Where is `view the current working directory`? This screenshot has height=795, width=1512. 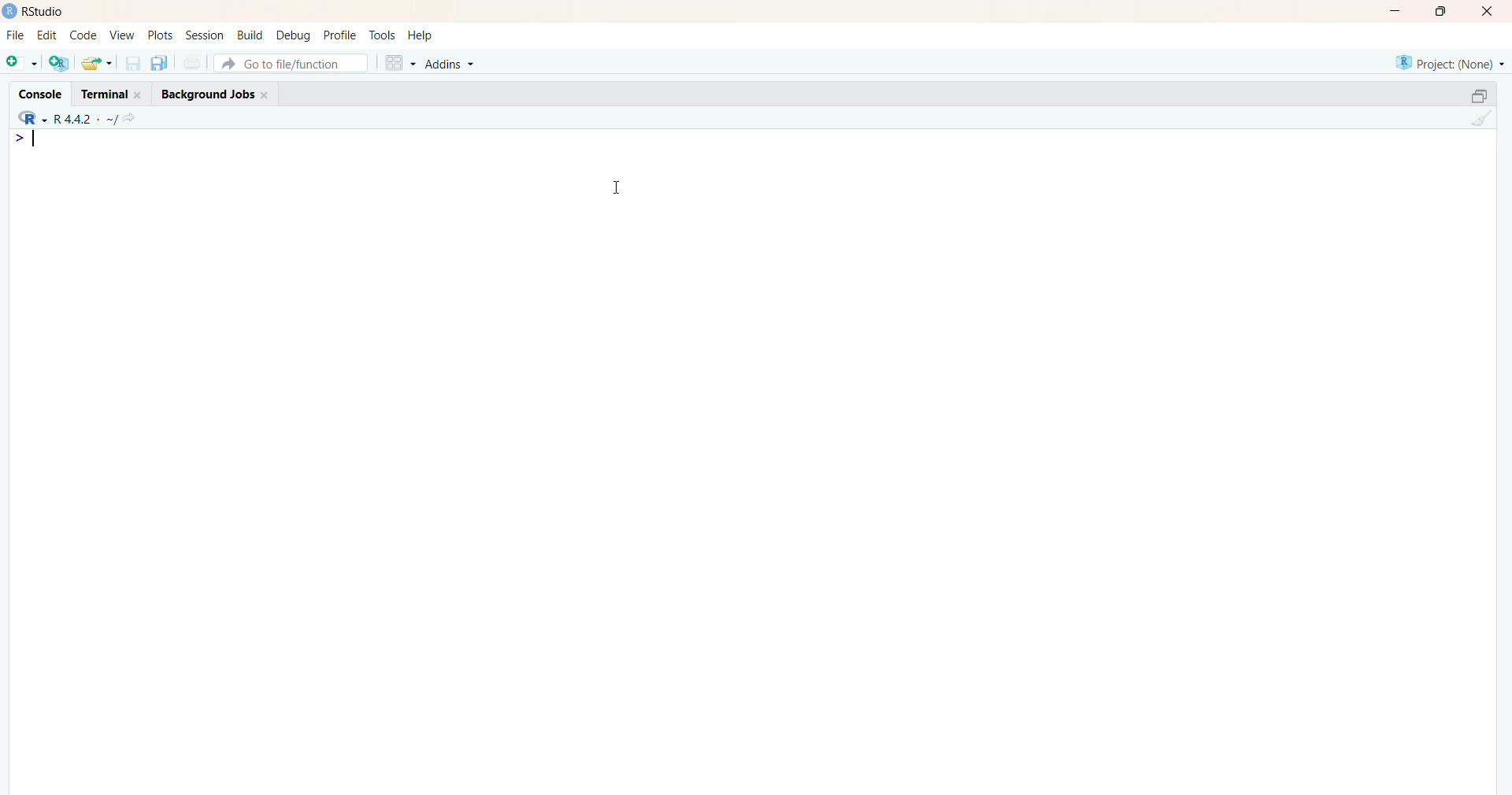
view the current working directory is located at coordinates (130, 120).